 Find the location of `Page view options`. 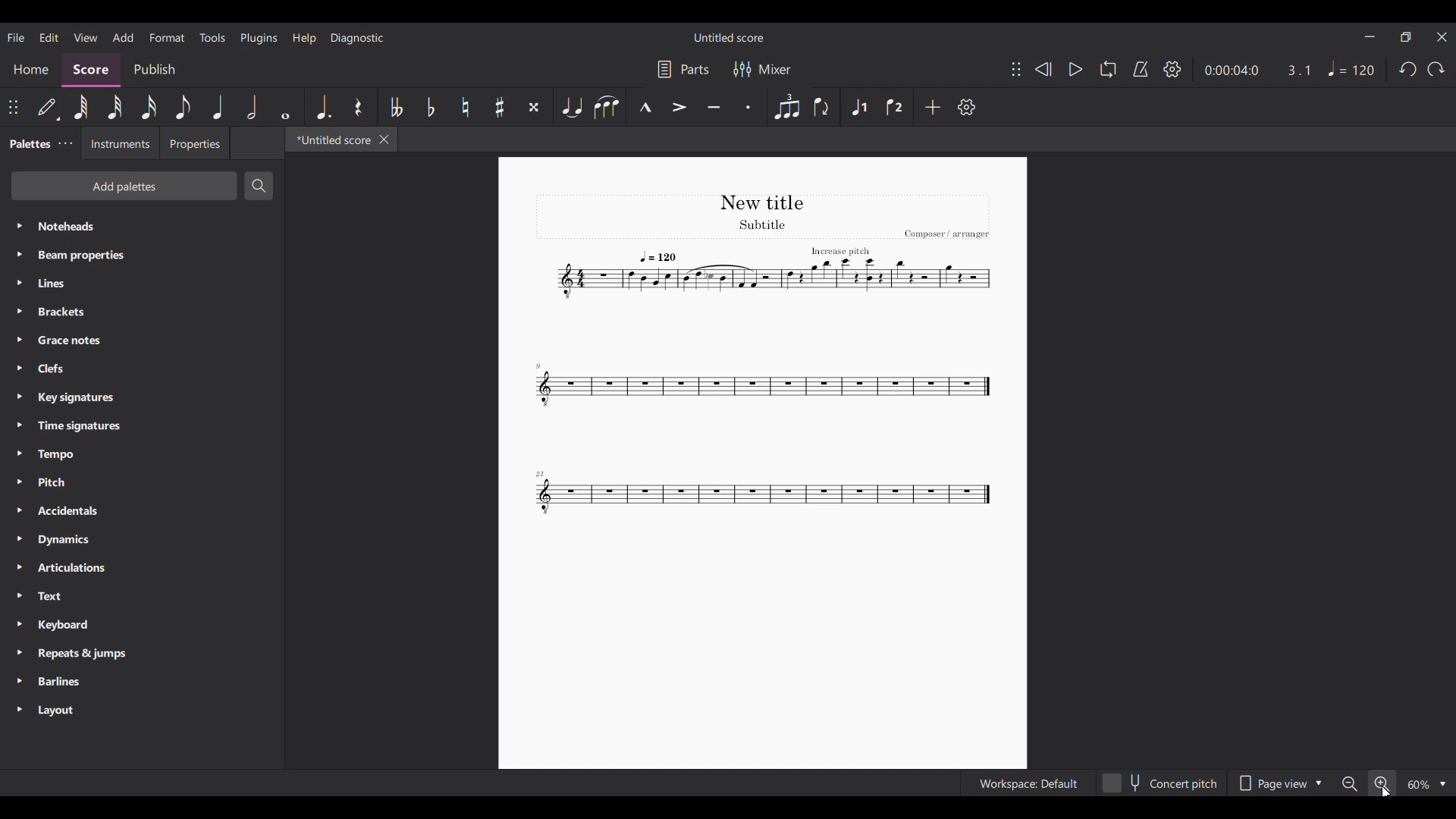

Page view options is located at coordinates (1278, 783).